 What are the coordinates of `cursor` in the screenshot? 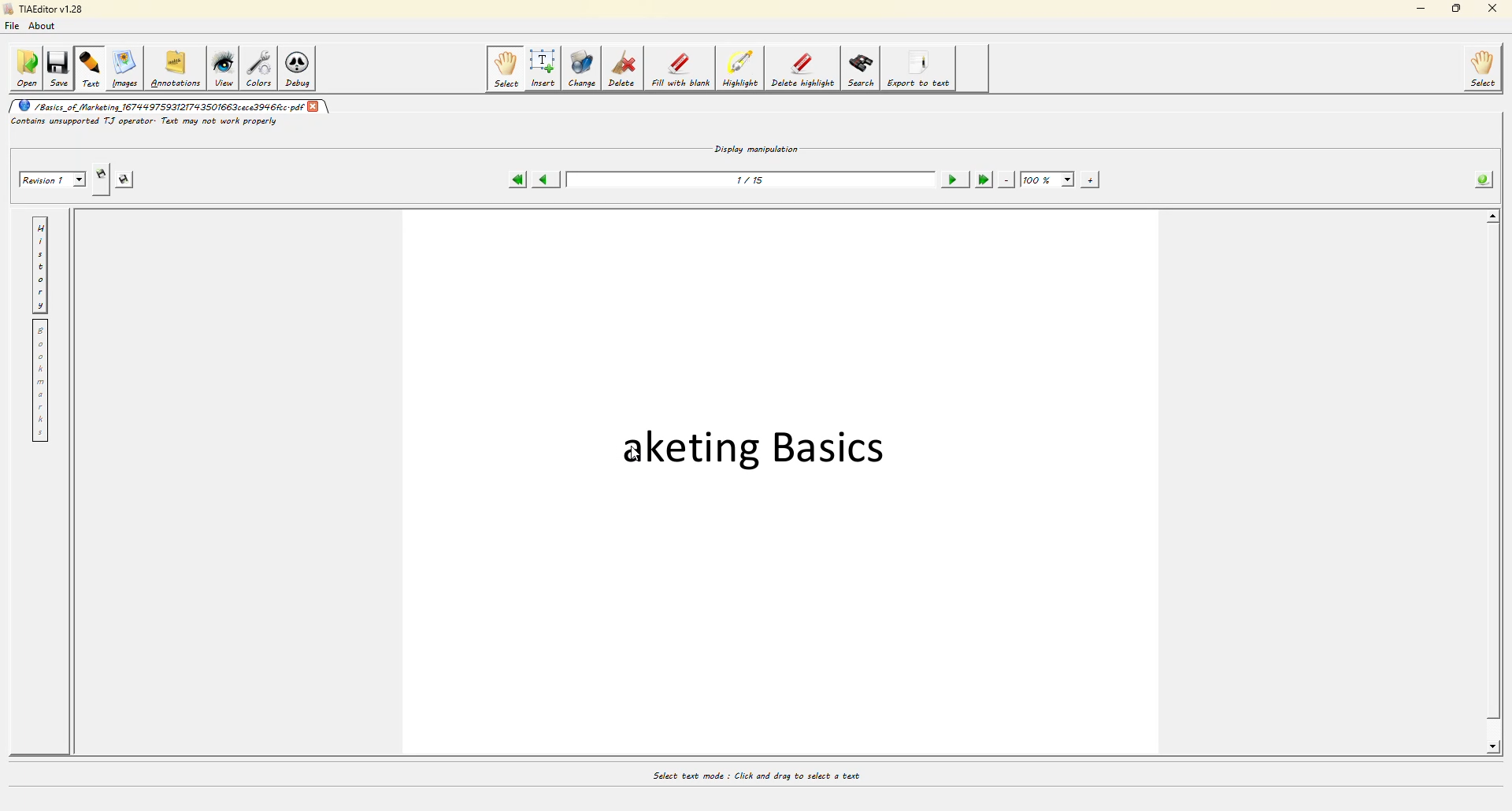 It's located at (635, 452).